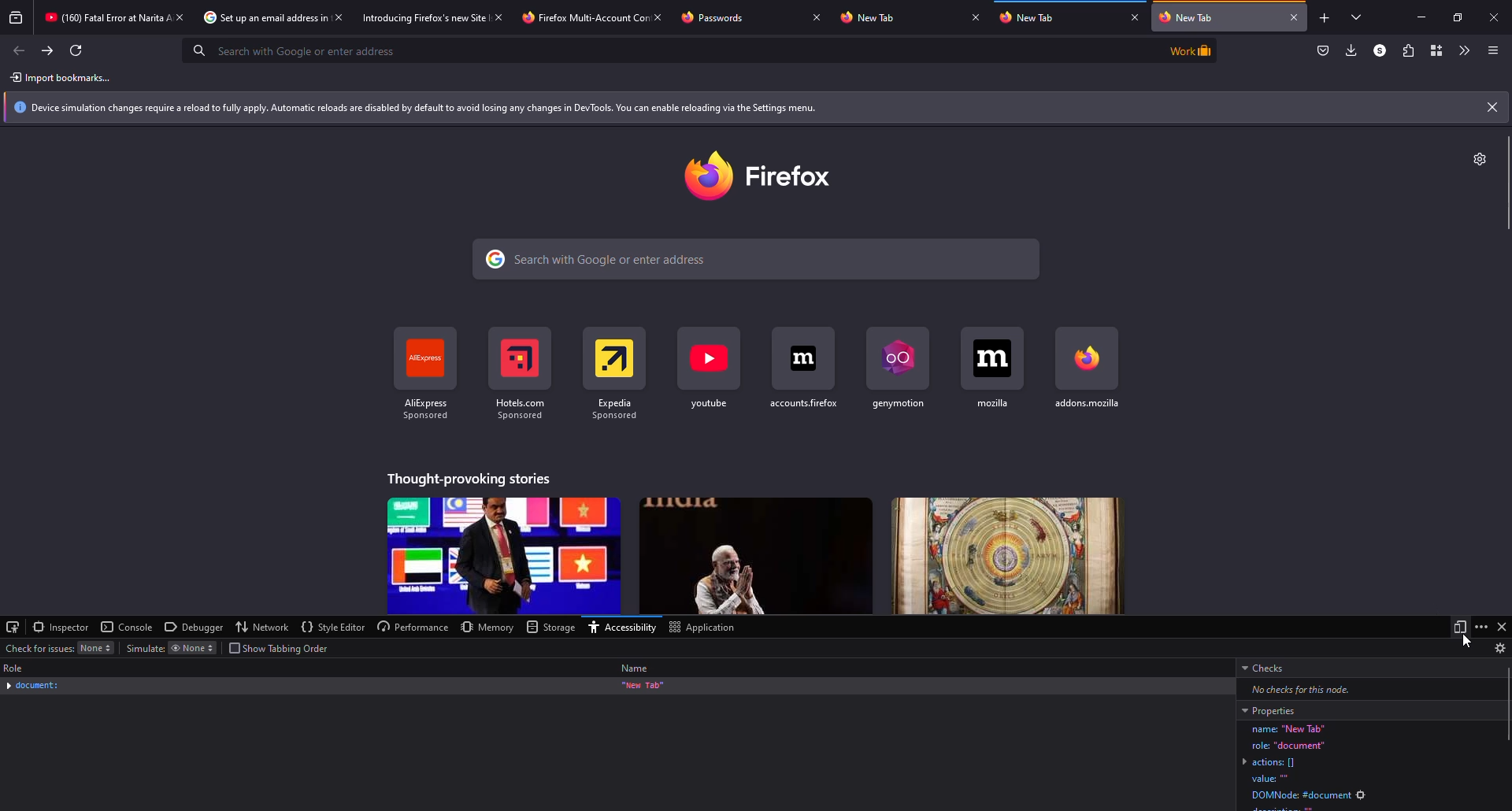  I want to click on import bookmarks, so click(64, 78).